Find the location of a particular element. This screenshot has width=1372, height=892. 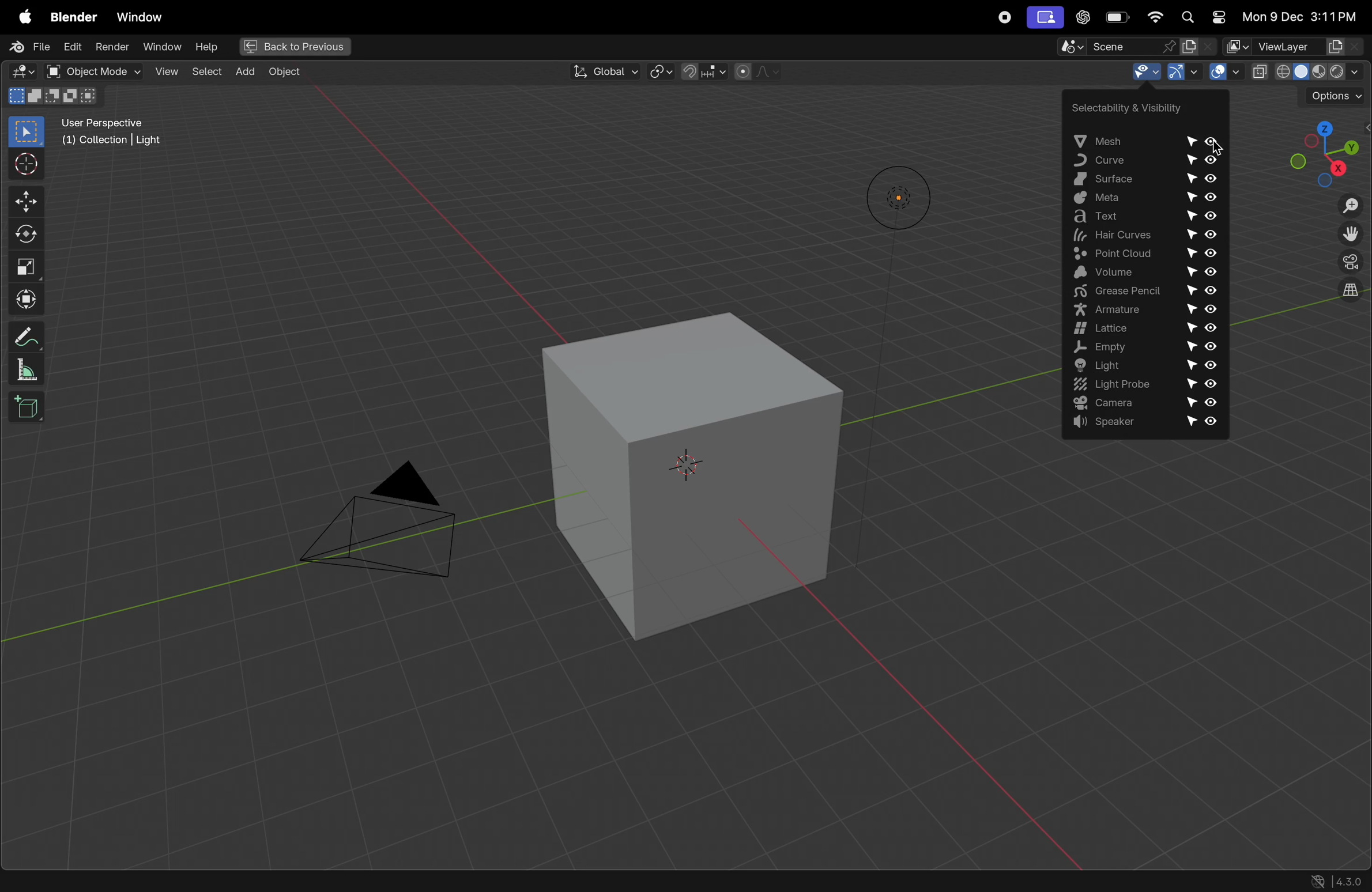

ametaure is located at coordinates (1146, 309).